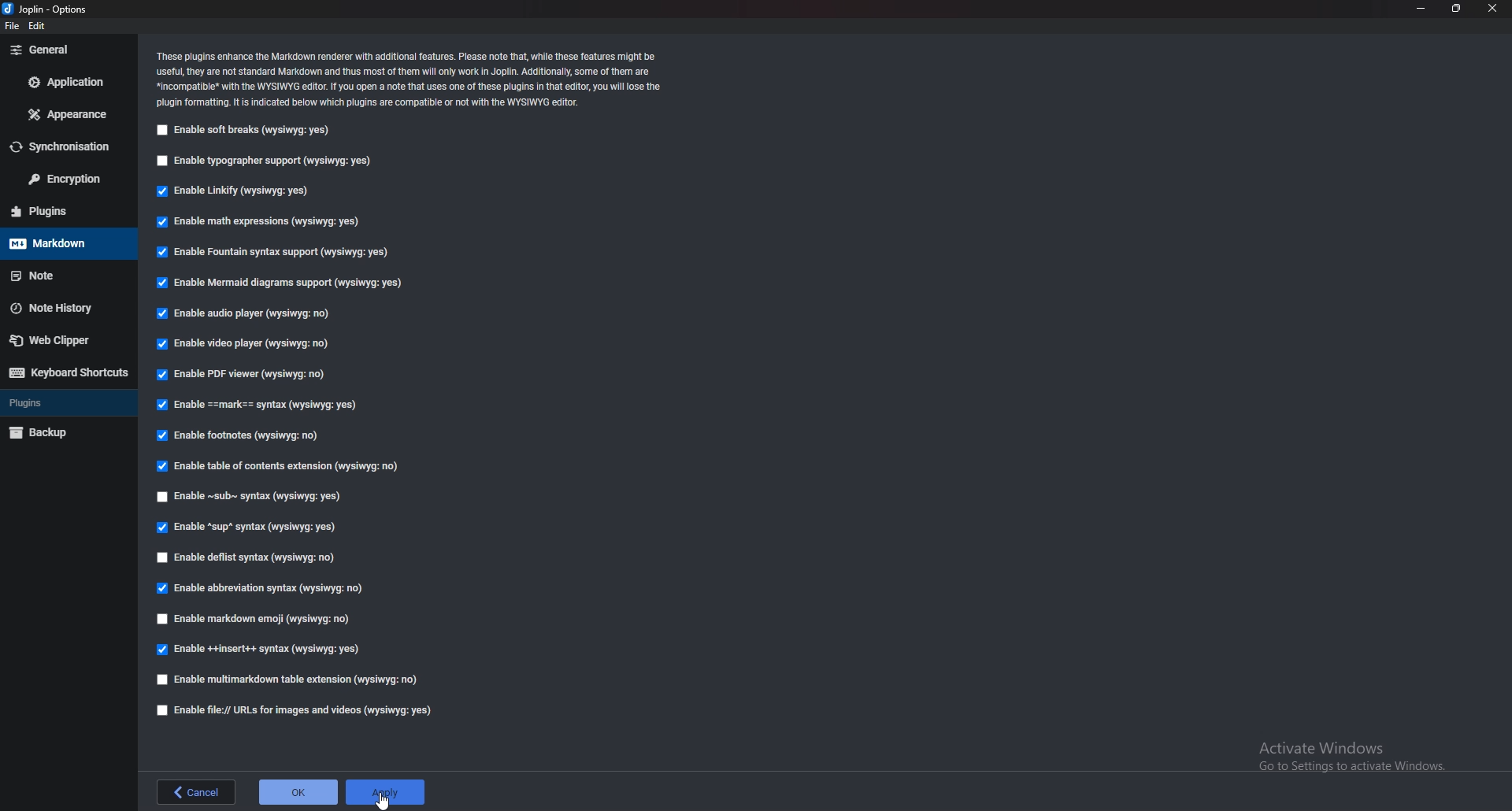  I want to click on Keyboard shortcuts, so click(67, 372).